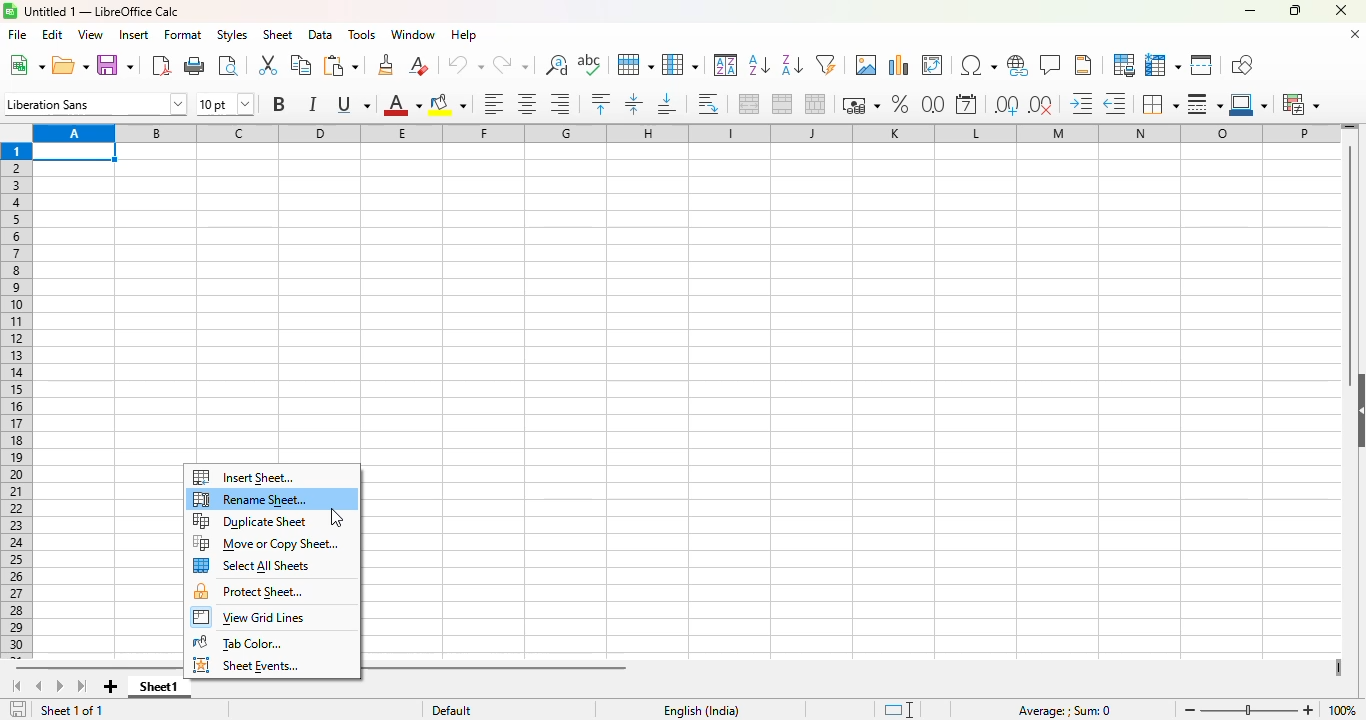 Image resolution: width=1366 pixels, height=720 pixels. Describe the element at coordinates (1050, 64) in the screenshot. I see `insert comment` at that location.